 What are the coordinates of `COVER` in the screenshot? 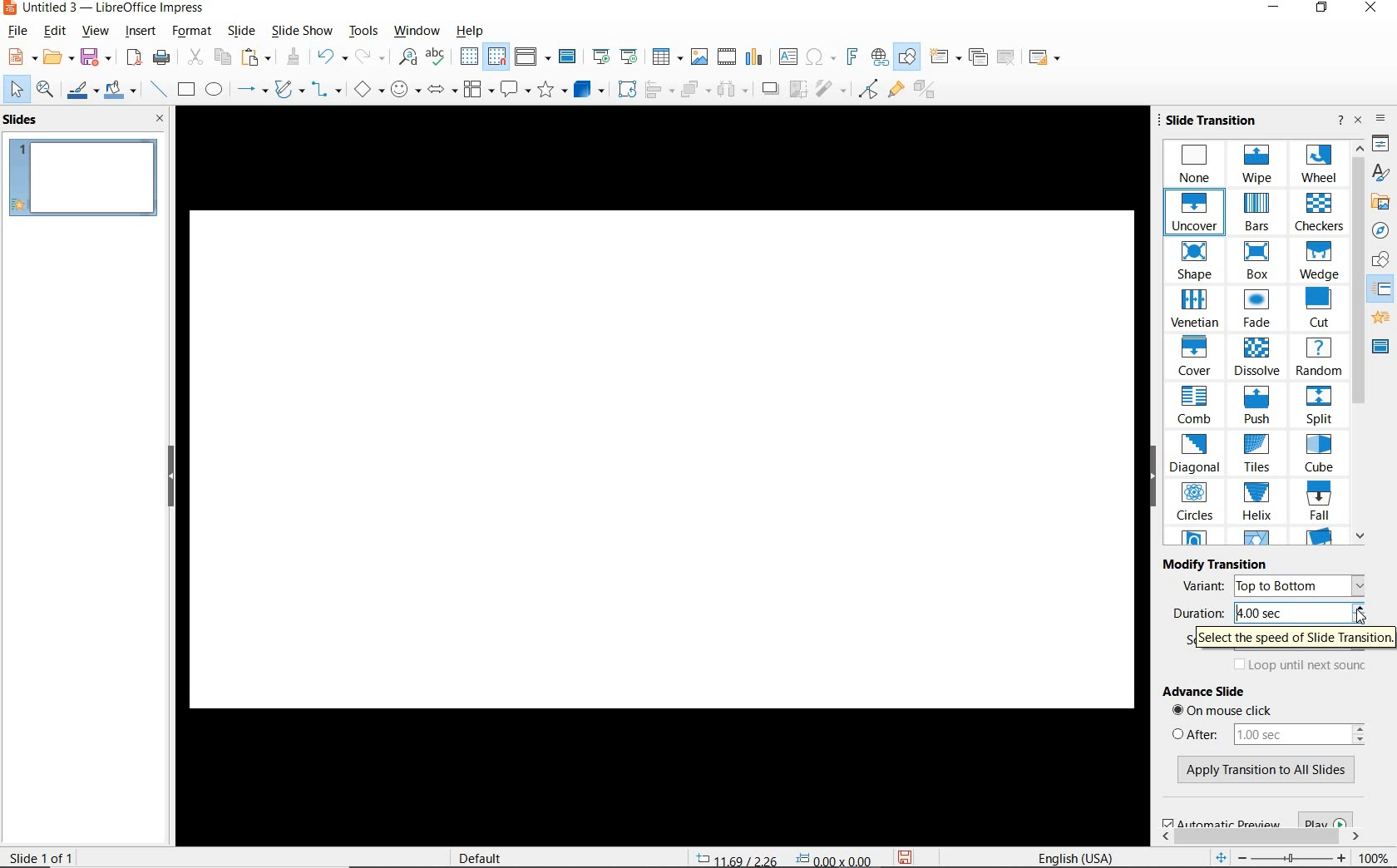 It's located at (1197, 358).